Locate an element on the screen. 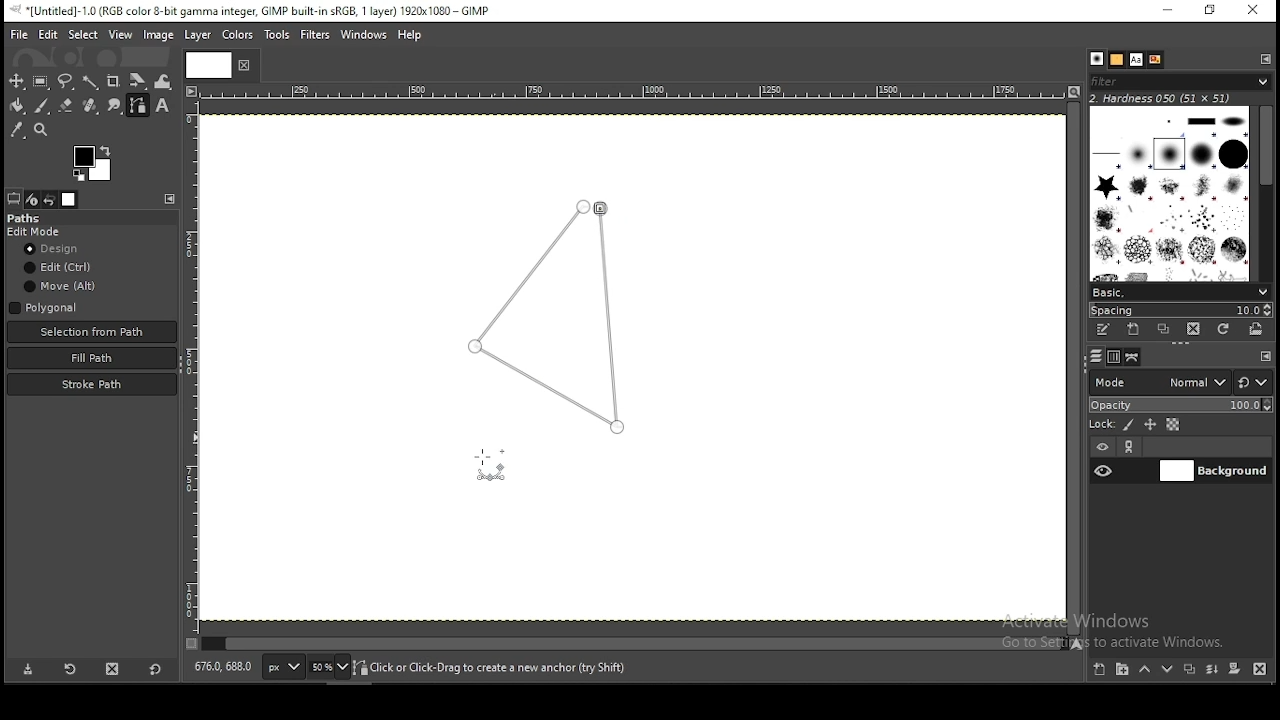  scroll bar is located at coordinates (632, 645).